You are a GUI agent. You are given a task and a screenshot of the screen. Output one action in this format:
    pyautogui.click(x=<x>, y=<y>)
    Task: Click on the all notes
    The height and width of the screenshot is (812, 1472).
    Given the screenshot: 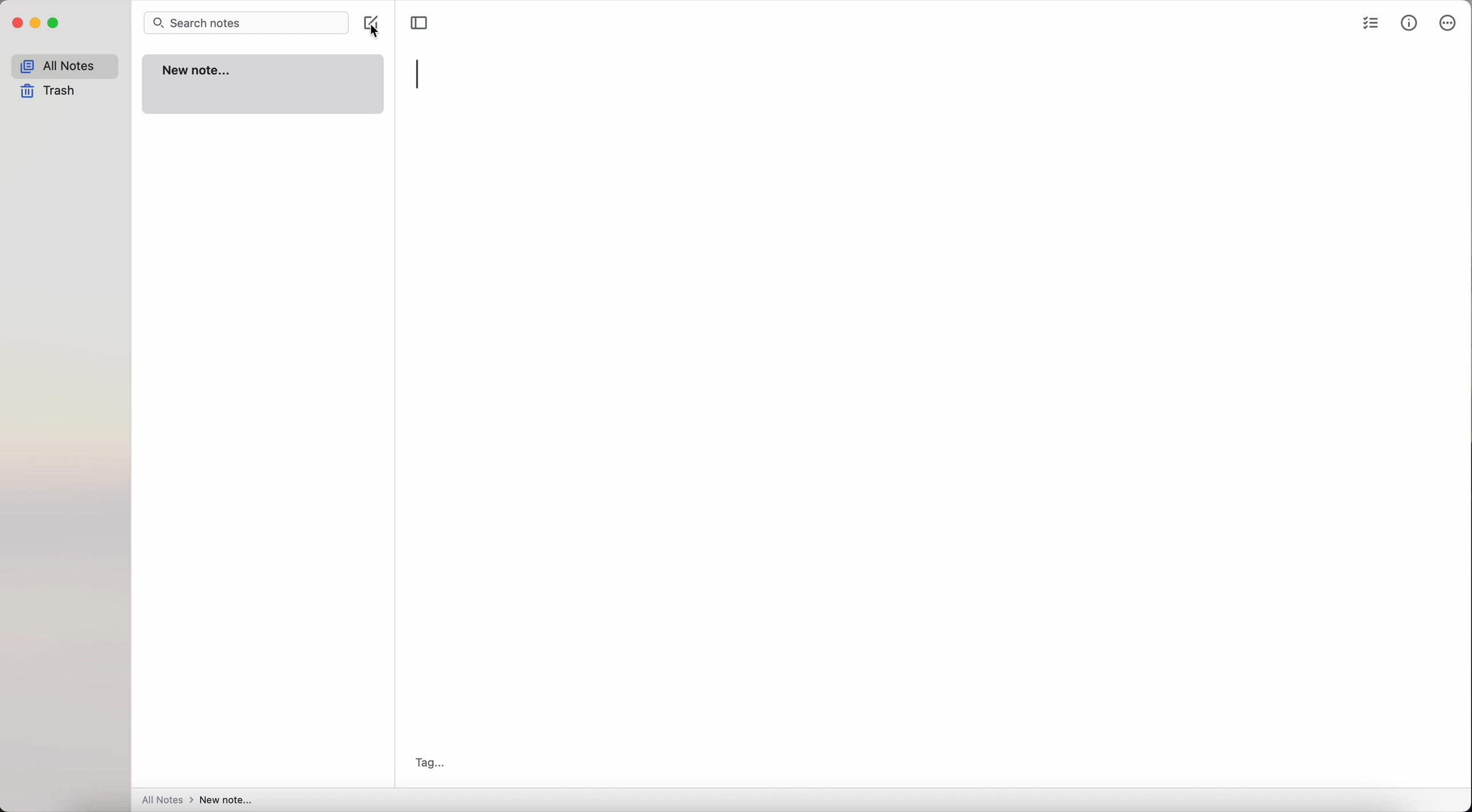 What is the action you would take?
    pyautogui.click(x=65, y=66)
    